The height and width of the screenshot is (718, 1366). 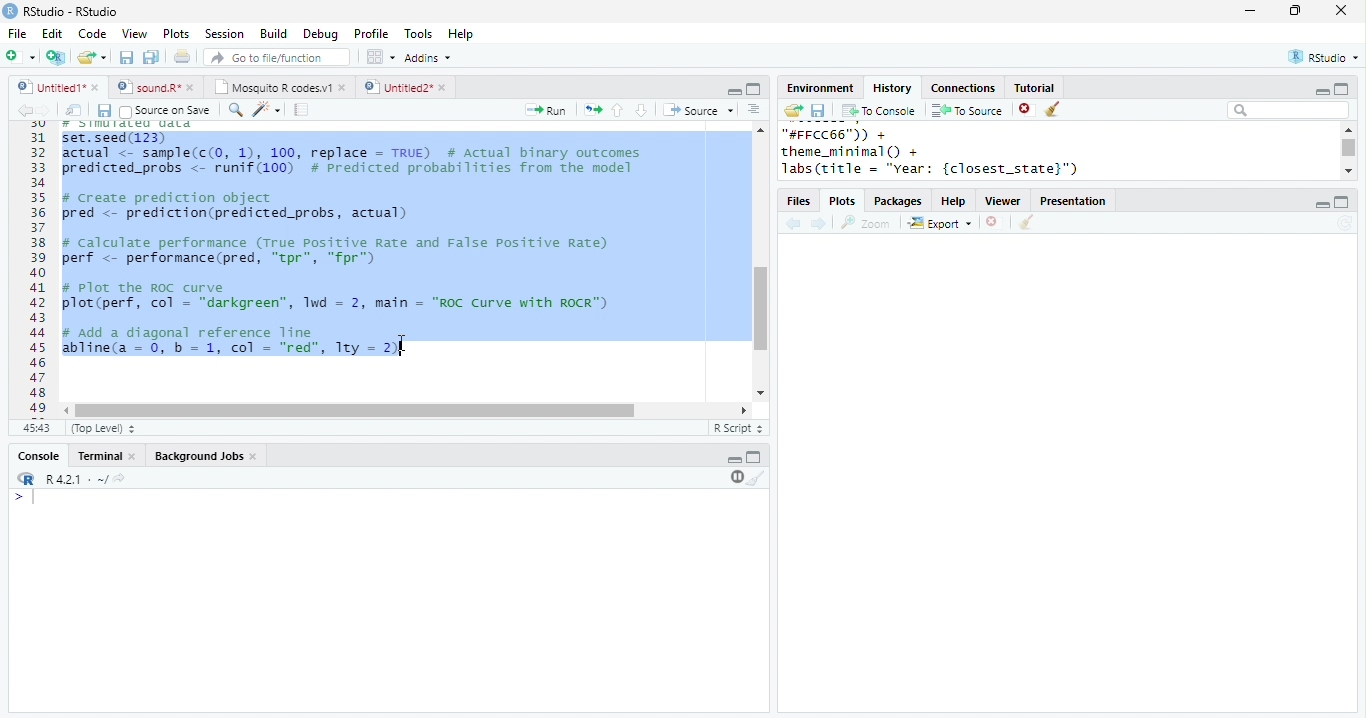 What do you see at coordinates (20, 56) in the screenshot?
I see `new file` at bounding box center [20, 56].